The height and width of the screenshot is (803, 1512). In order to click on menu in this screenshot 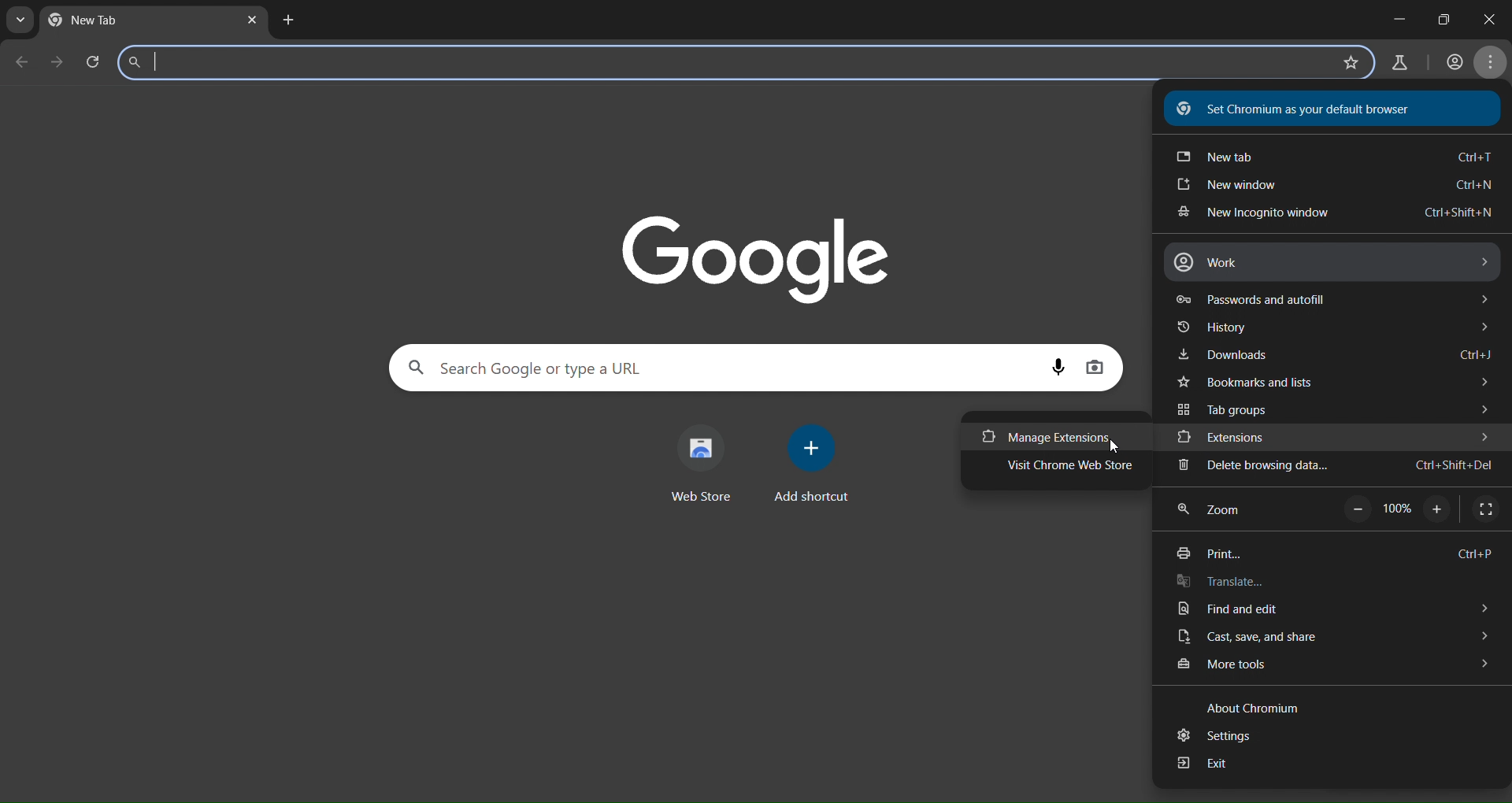, I will do `click(1489, 62)`.